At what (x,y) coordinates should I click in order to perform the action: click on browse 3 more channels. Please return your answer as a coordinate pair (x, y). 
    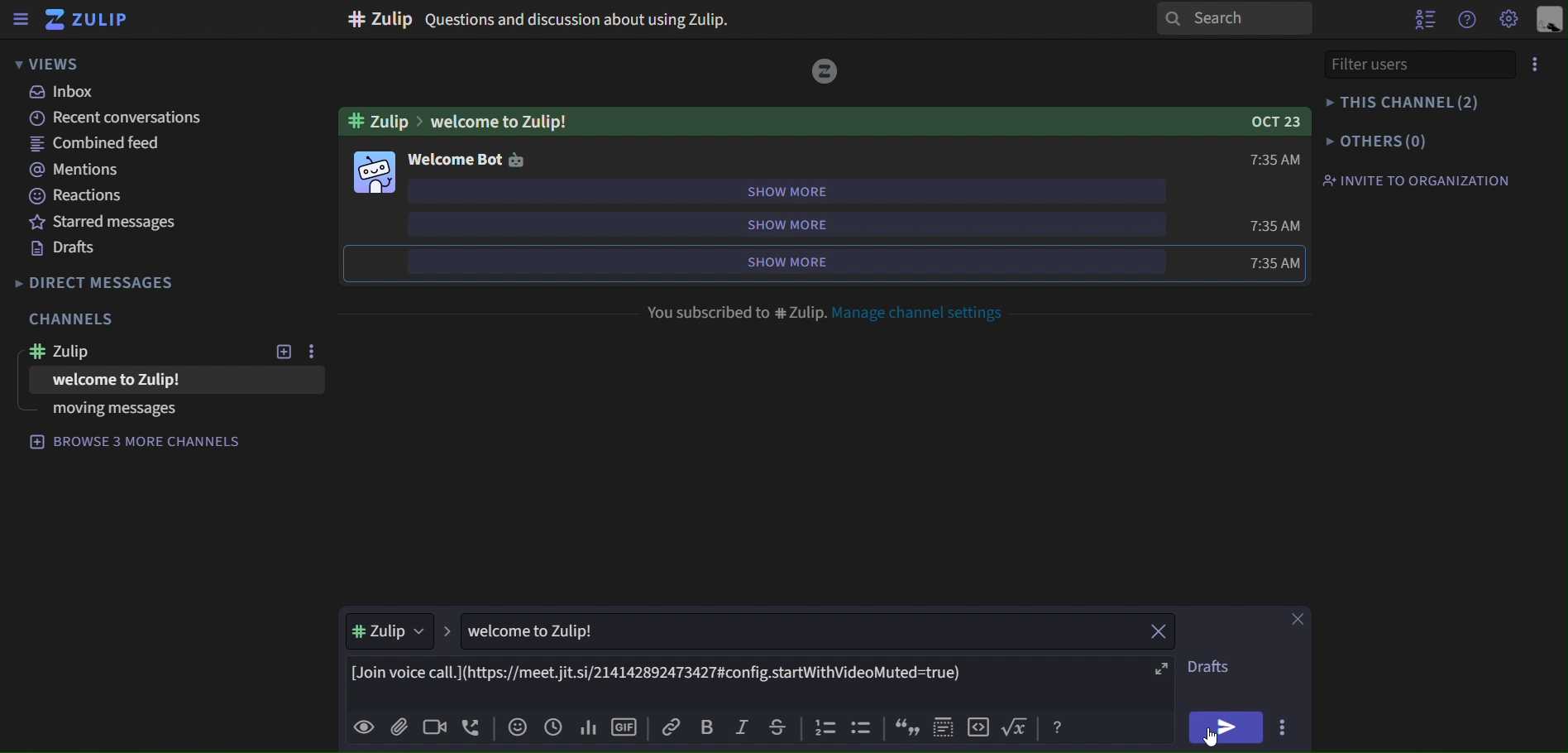
    Looking at the image, I should click on (146, 445).